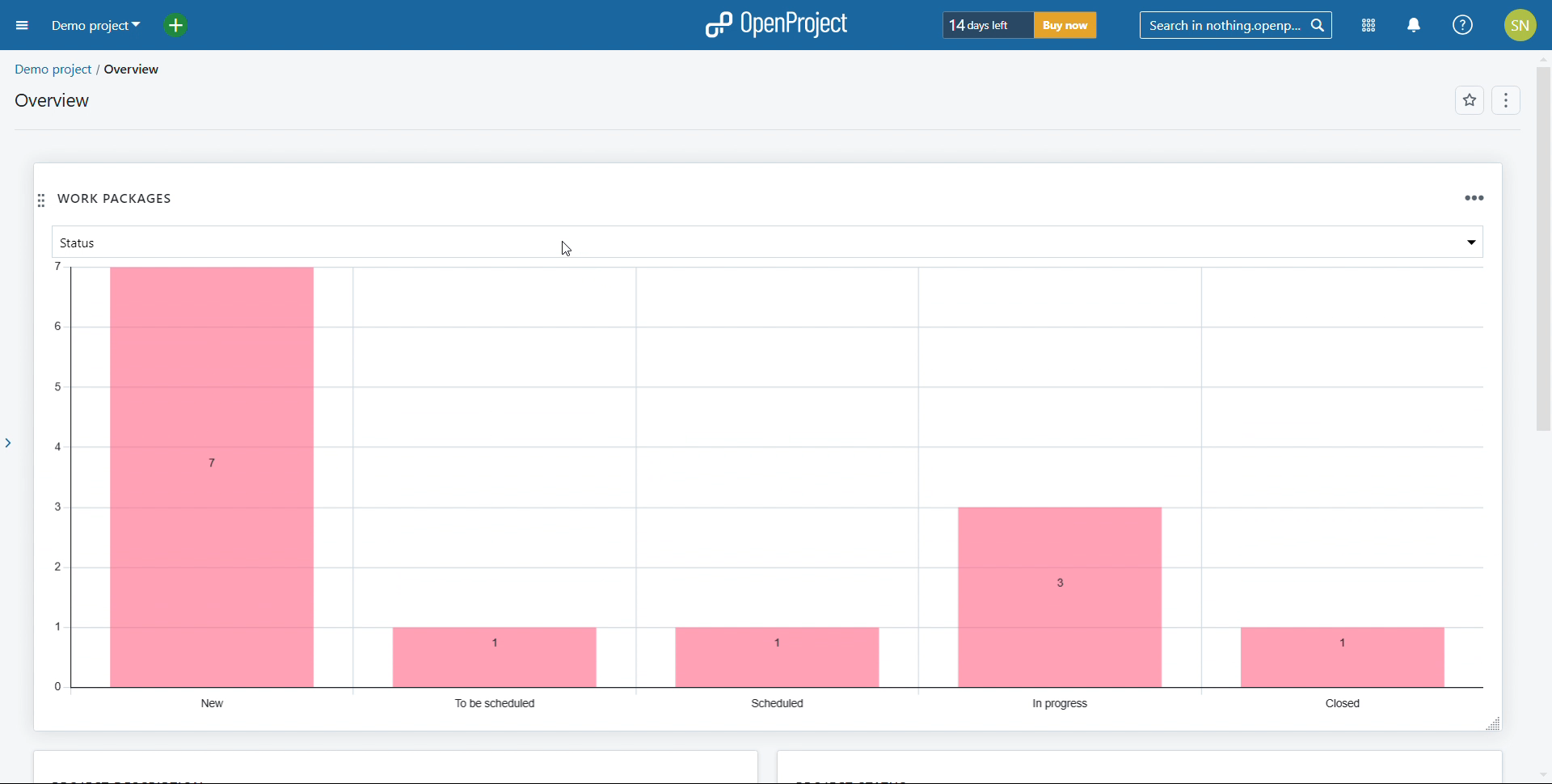 The width and height of the screenshot is (1552, 784). I want to click on options, so click(1474, 199).